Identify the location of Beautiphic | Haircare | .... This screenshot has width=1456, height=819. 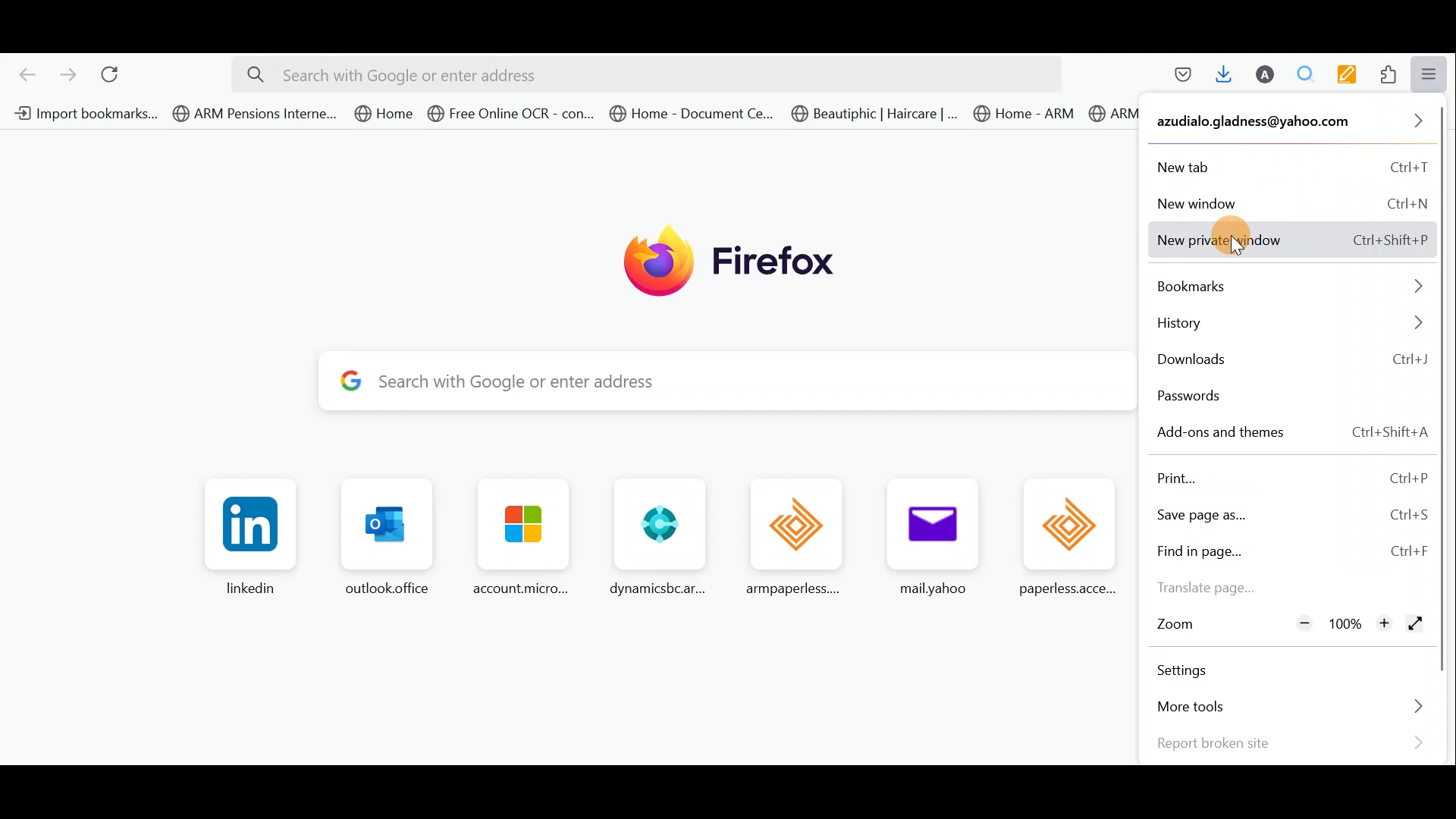
(875, 115).